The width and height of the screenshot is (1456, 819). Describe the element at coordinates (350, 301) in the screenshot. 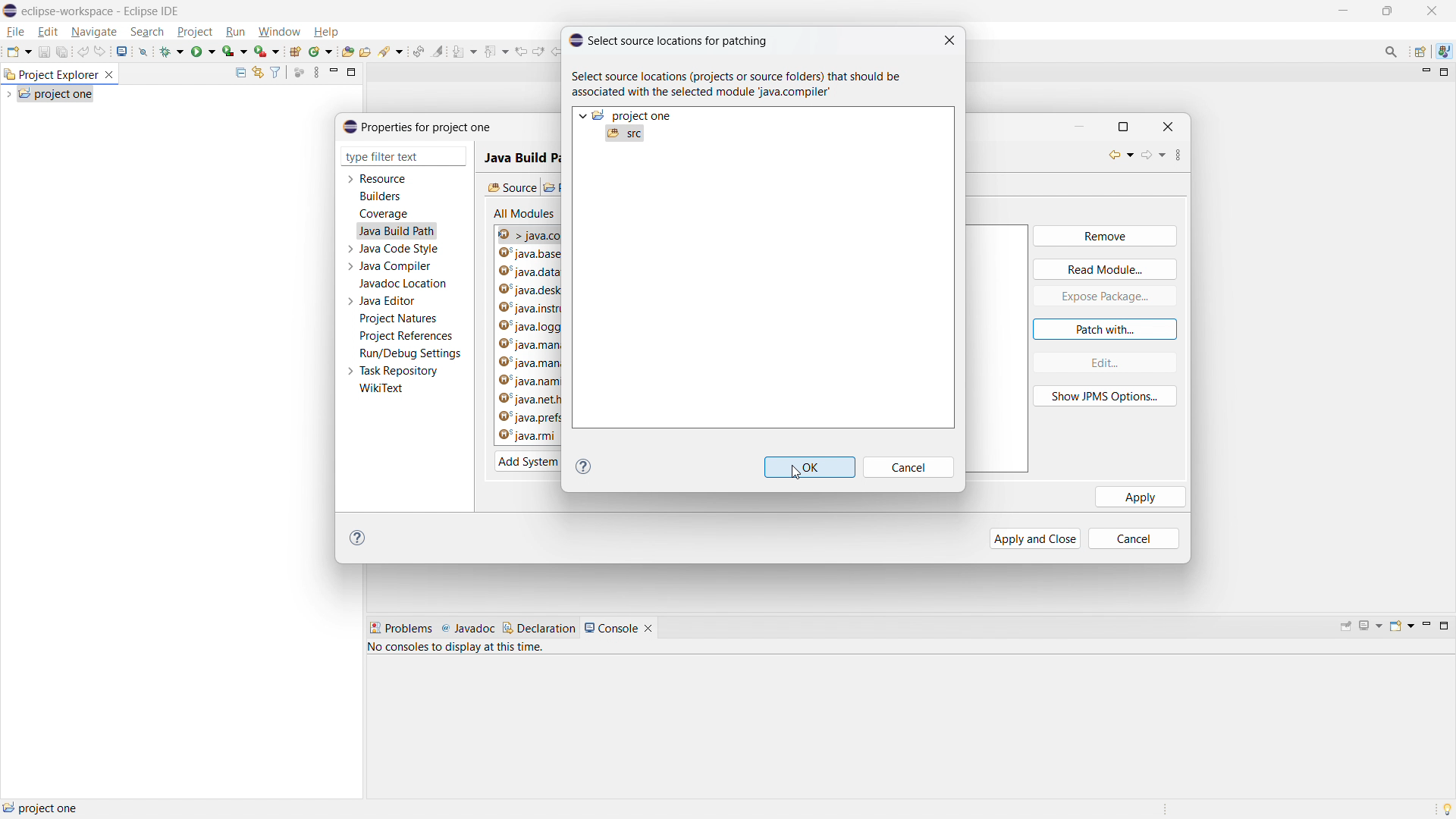

I see `expand java editor` at that location.